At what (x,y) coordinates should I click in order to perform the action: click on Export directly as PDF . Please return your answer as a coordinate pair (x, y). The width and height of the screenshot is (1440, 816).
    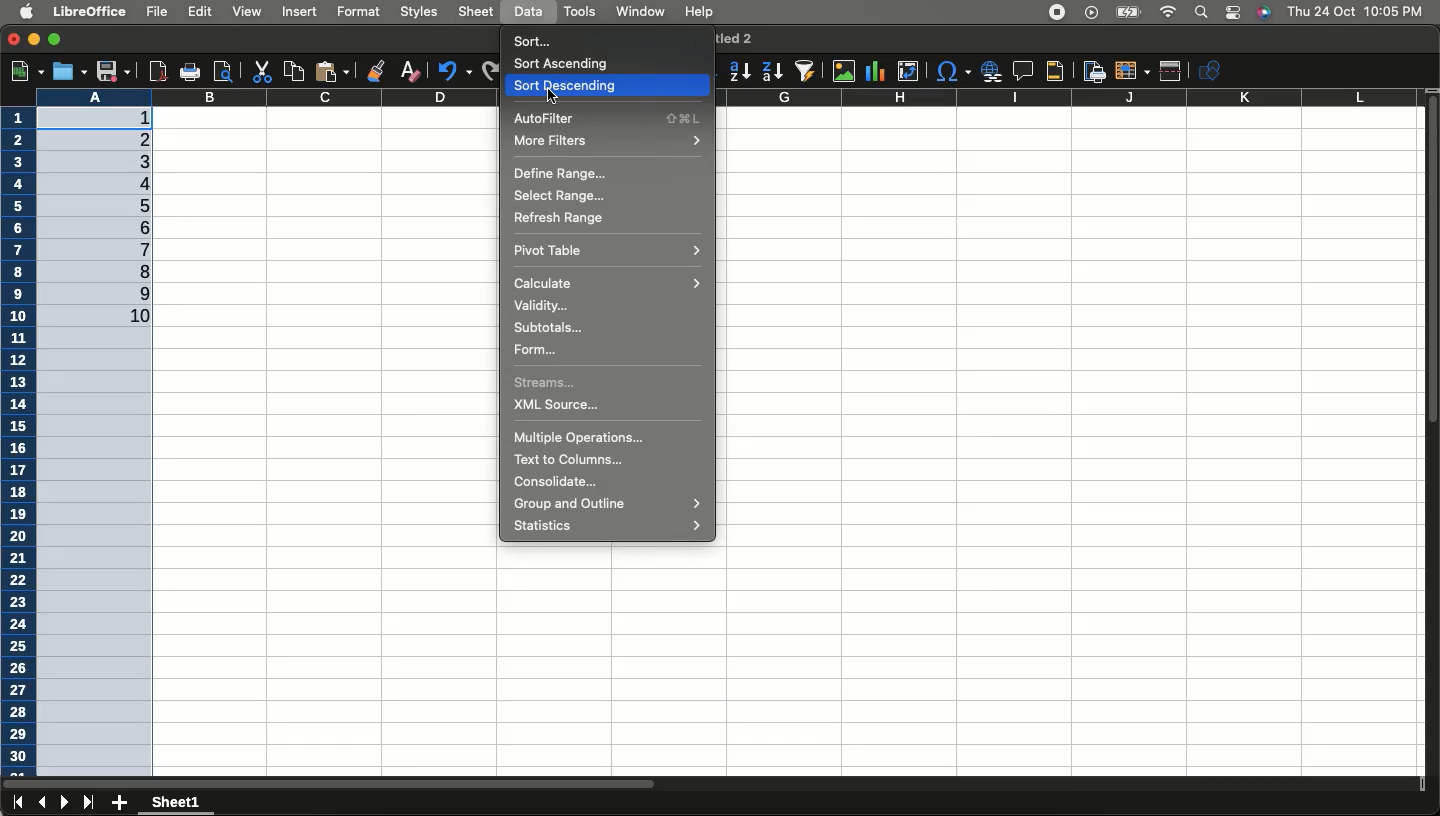
    Looking at the image, I should click on (155, 70).